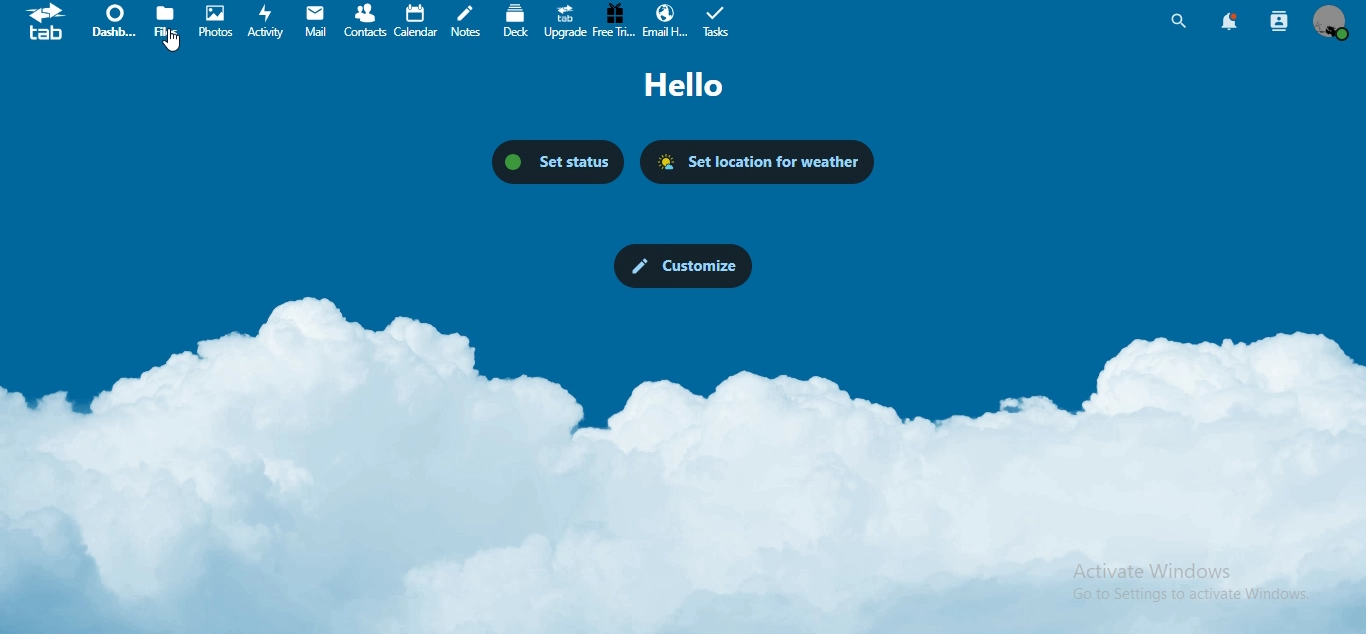 The width and height of the screenshot is (1366, 634). I want to click on hello, so click(684, 84).